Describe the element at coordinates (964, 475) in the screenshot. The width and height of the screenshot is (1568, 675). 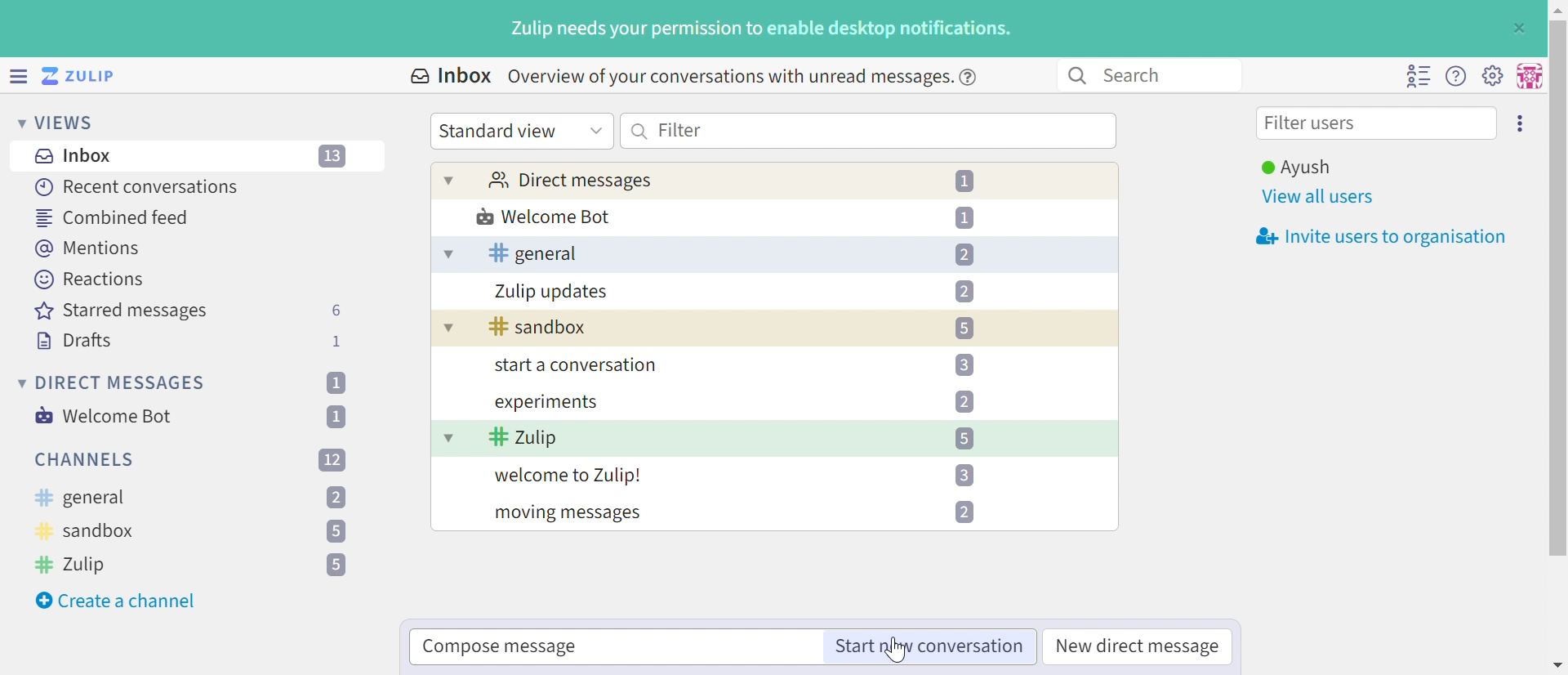
I see `3` at that location.